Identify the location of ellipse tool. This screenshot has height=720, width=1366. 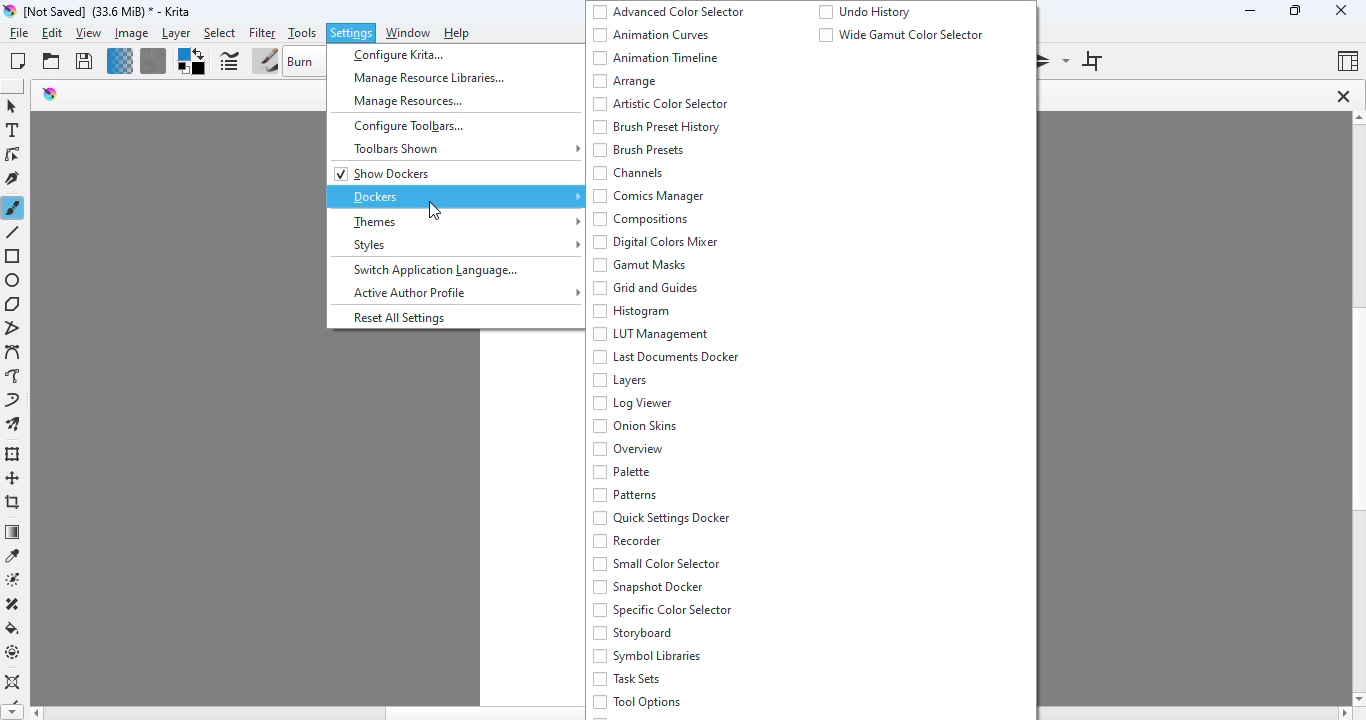
(13, 280).